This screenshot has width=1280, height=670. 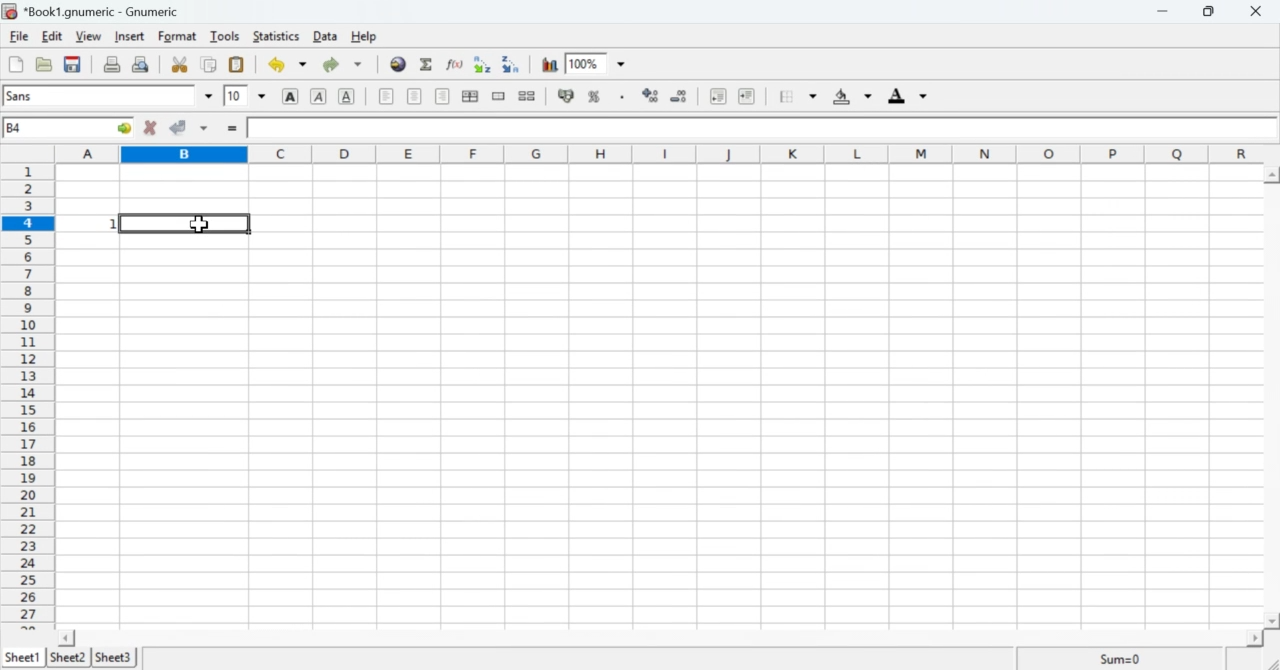 I want to click on File, so click(x=19, y=36).